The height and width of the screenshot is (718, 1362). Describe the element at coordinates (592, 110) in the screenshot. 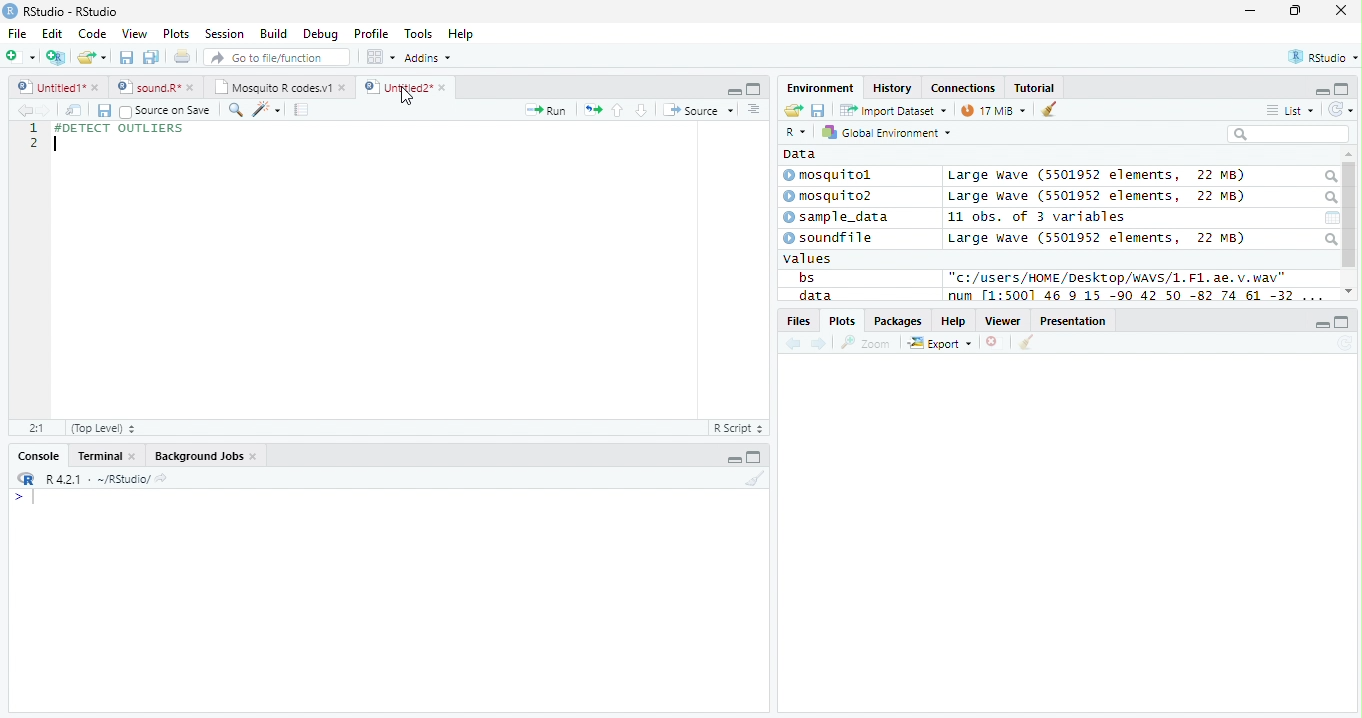

I see `Re-run the previous code` at that location.